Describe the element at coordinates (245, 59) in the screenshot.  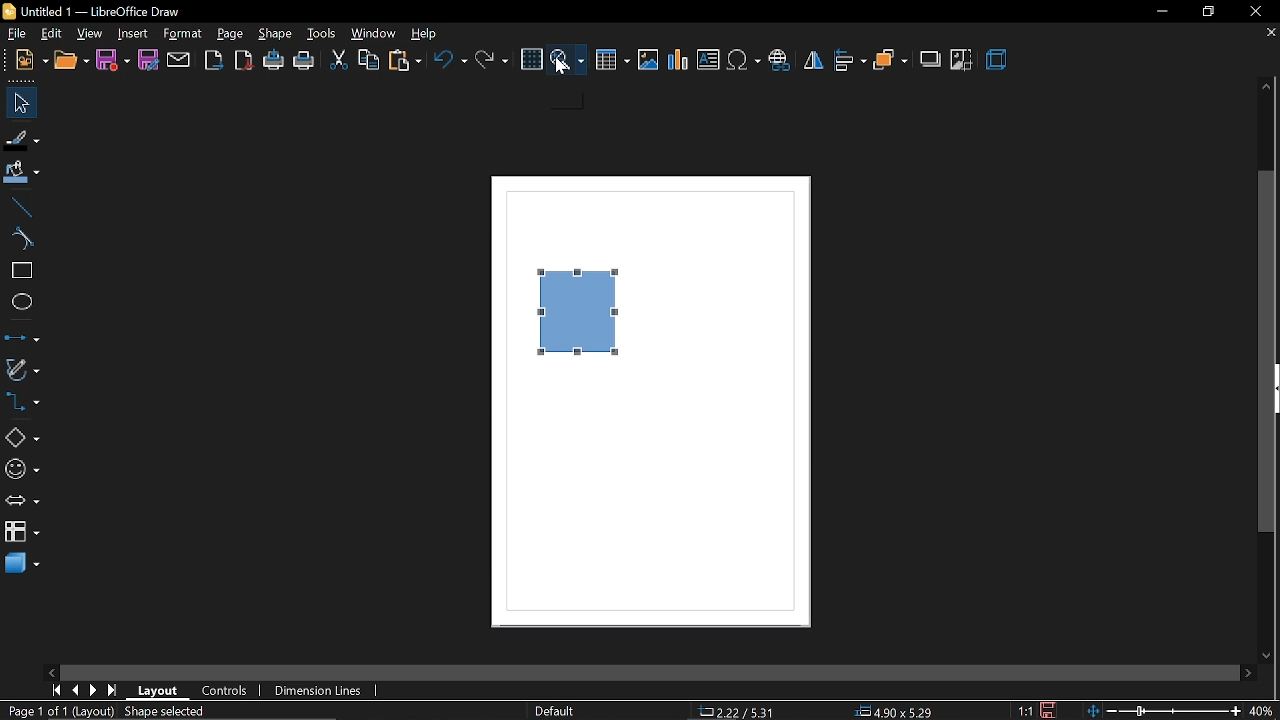
I see `export pdf` at that location.